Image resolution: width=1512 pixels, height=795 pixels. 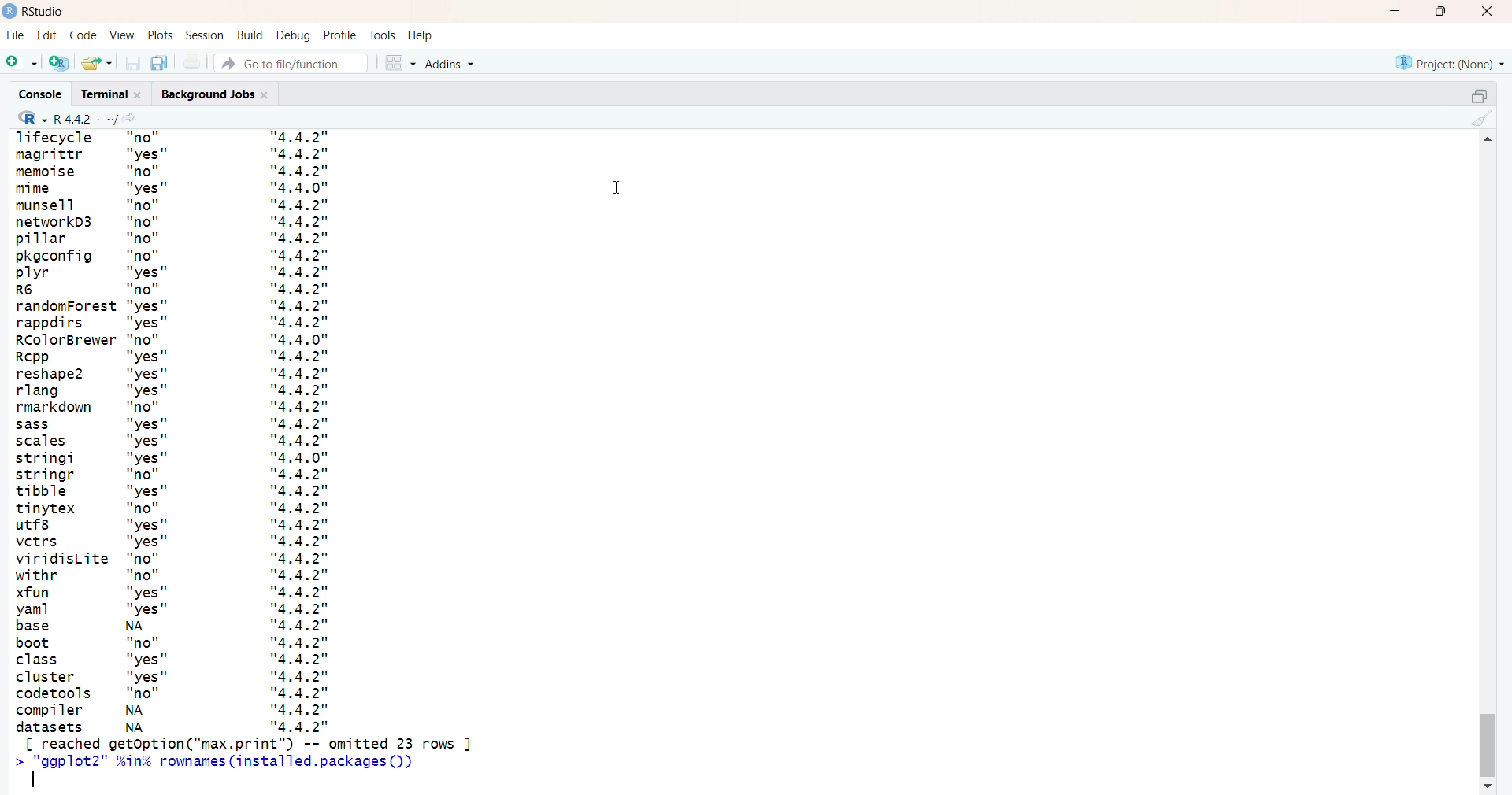 What do you see at coordinates (295, 63) in the screenshot?
I see `Go to file/function` at bounding box center [295, 63].